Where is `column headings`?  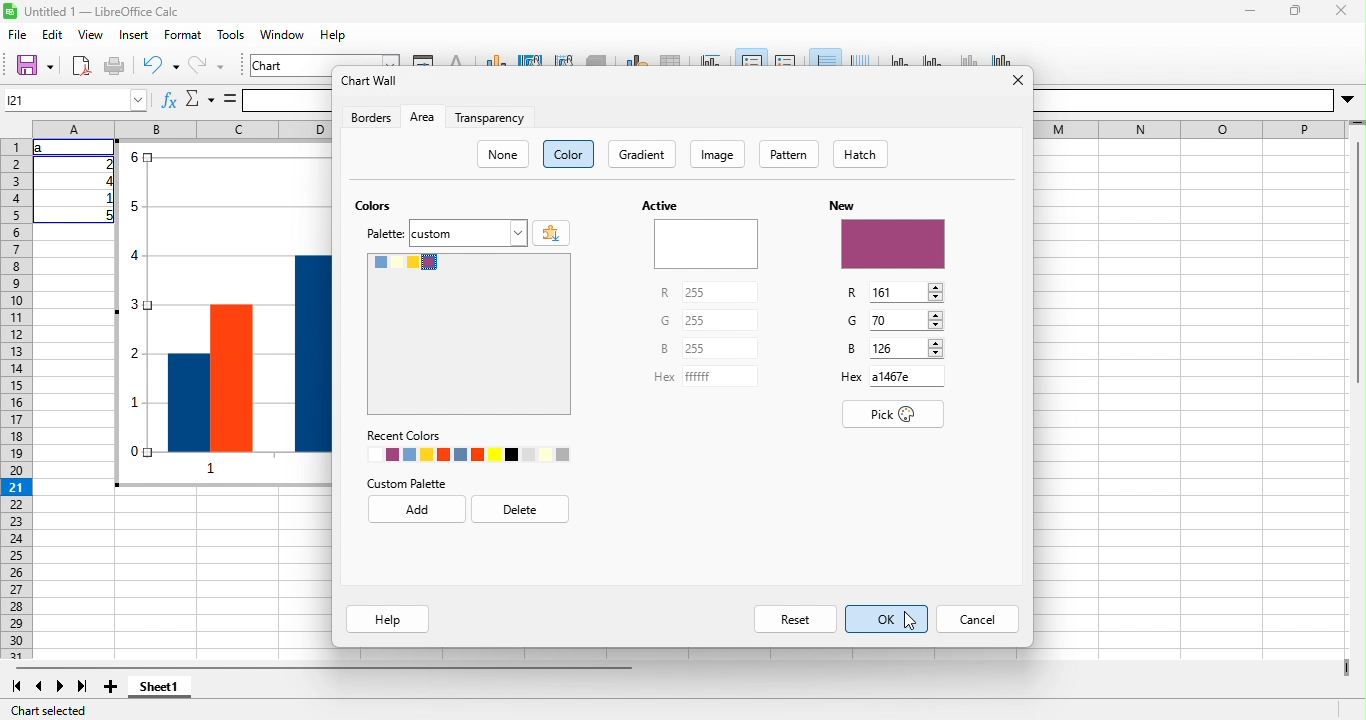 column headings is located at coordinates (182, 129).